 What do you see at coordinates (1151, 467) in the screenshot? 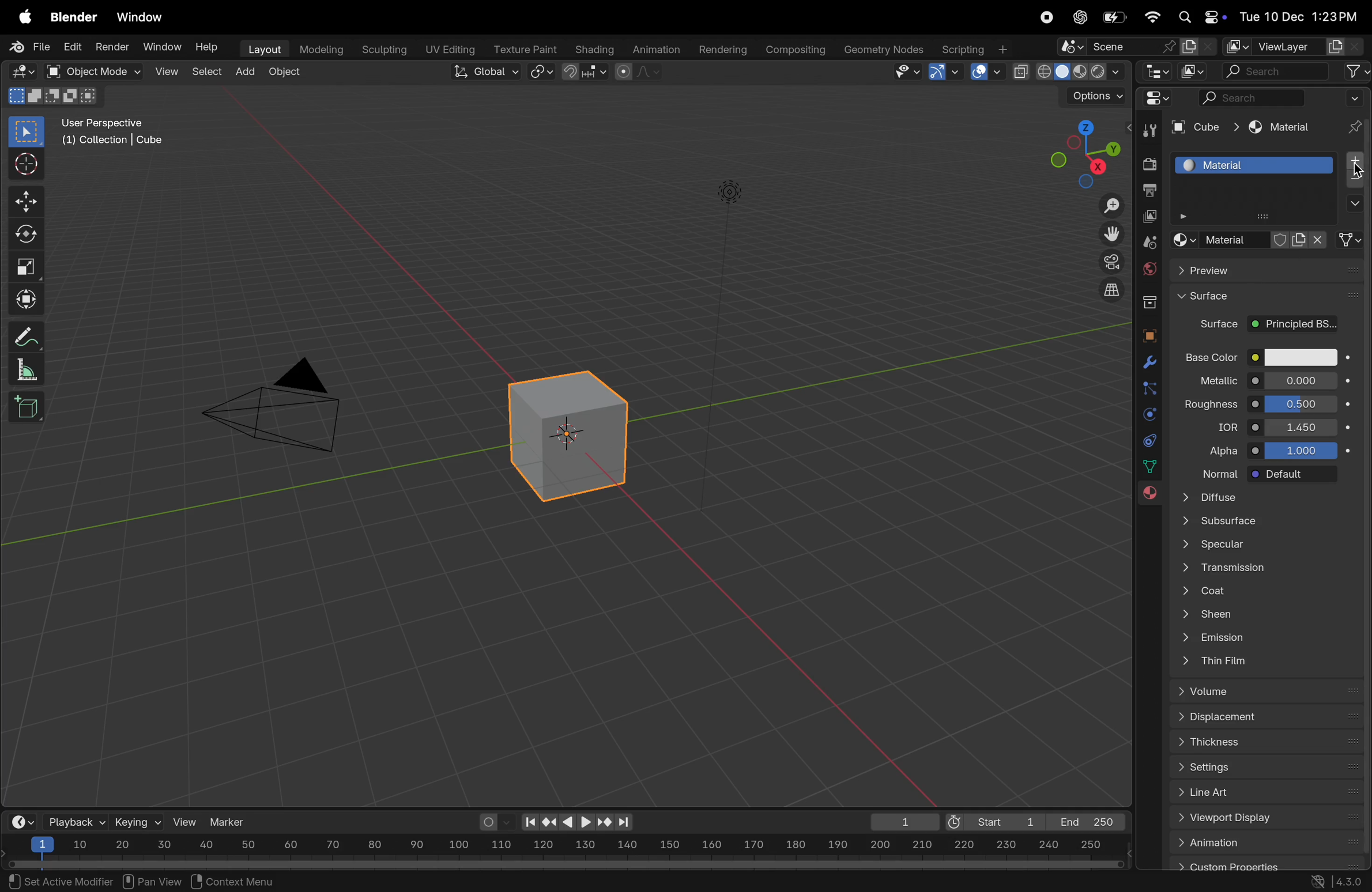
I see `` at bounding box center [1151, 467].